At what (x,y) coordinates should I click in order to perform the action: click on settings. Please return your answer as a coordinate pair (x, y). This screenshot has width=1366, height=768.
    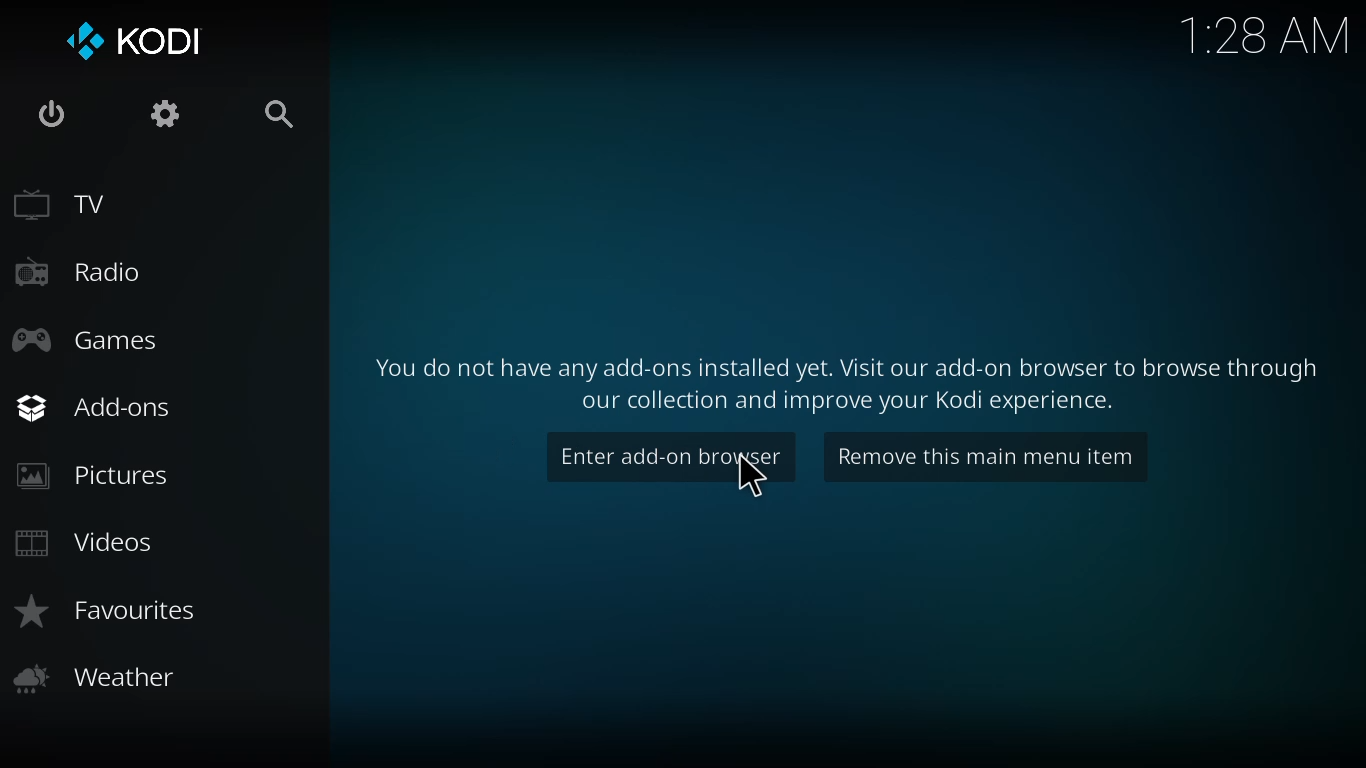
    Looking at the image, I should click on (170, 114).